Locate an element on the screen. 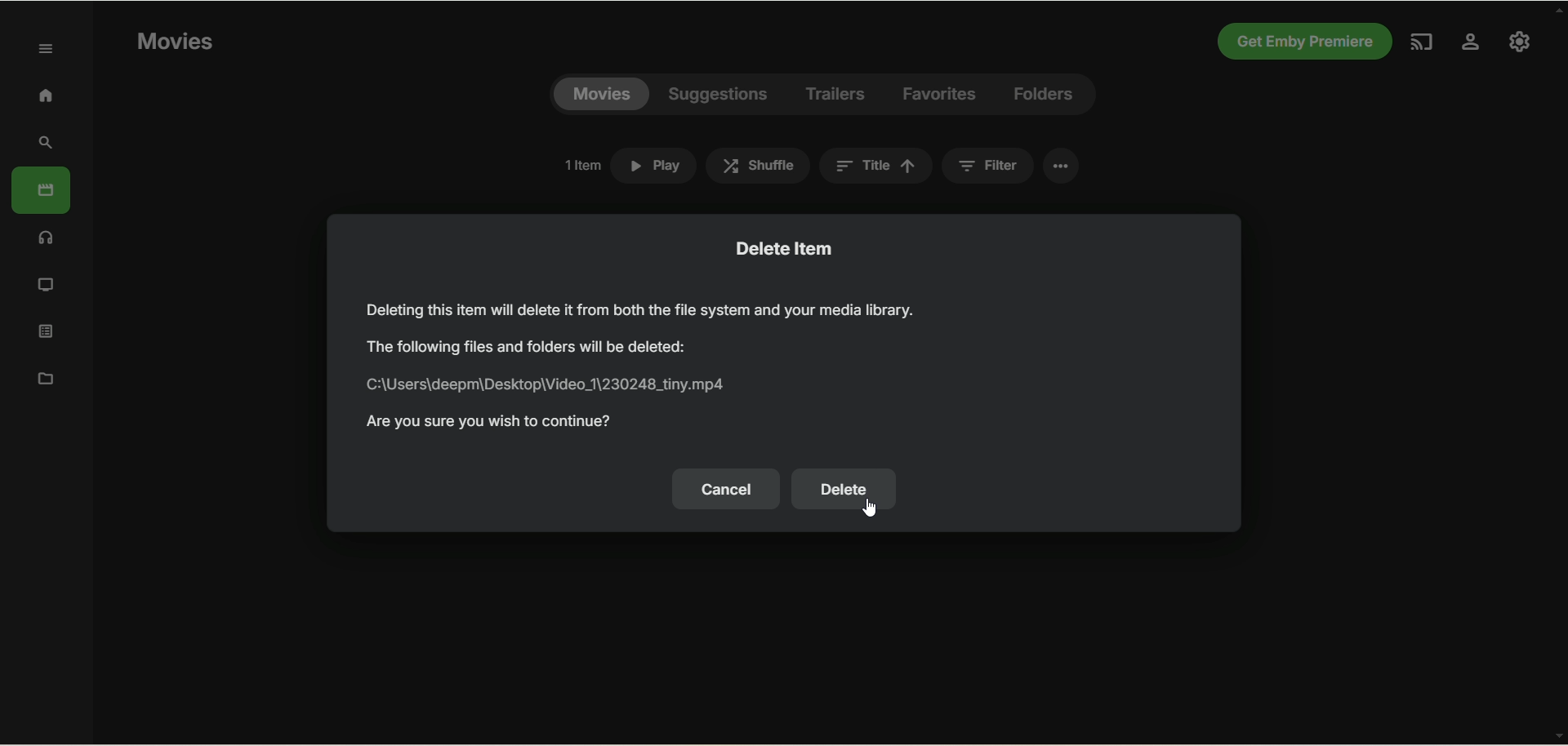 This screenshot has width=1568, height=746. TV shows is located at coordinates (47, 286).